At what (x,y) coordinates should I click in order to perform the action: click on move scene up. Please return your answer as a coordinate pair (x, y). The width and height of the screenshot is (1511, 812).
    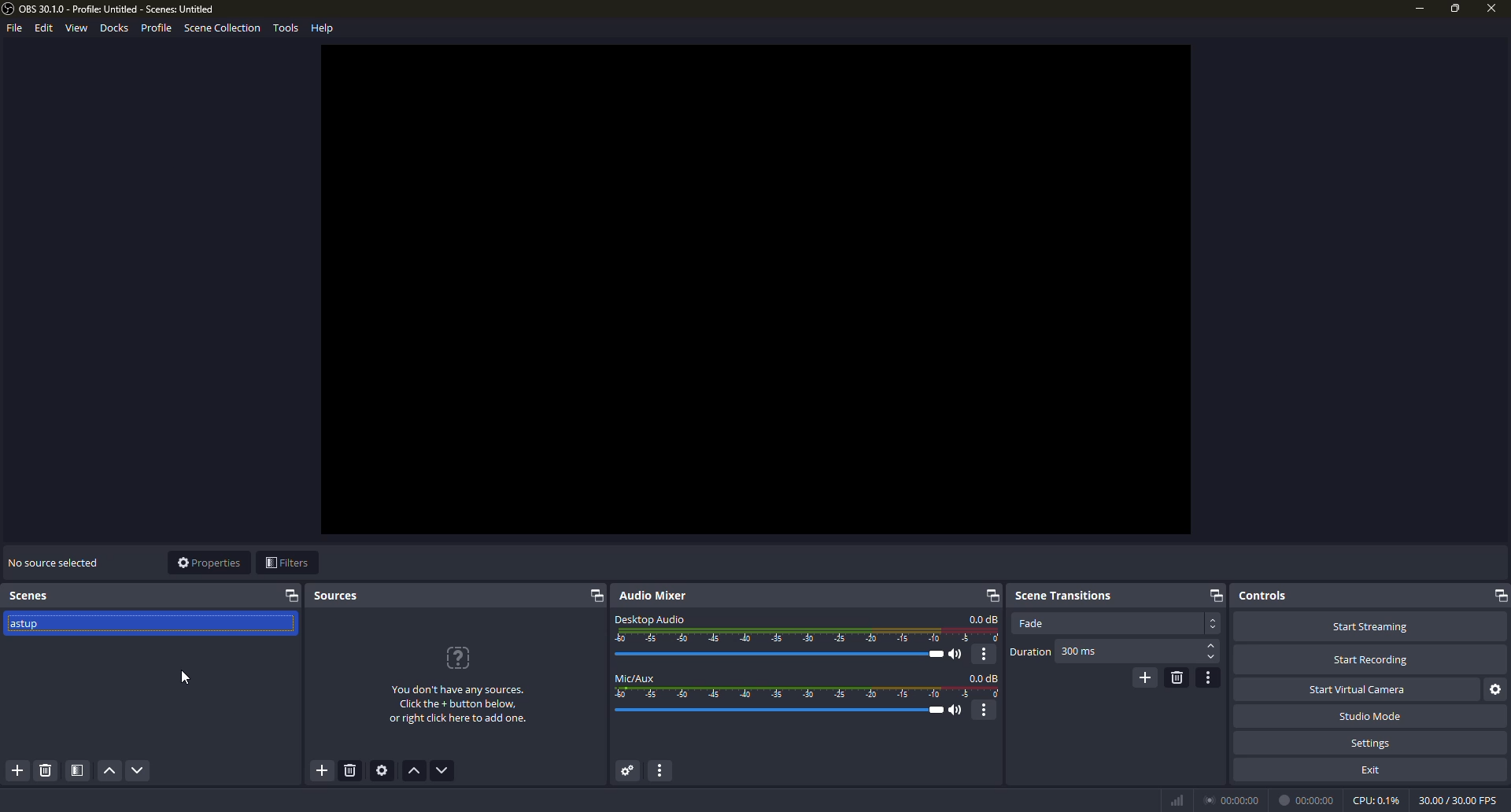
    Looking at the image, I should click on (109, 772).